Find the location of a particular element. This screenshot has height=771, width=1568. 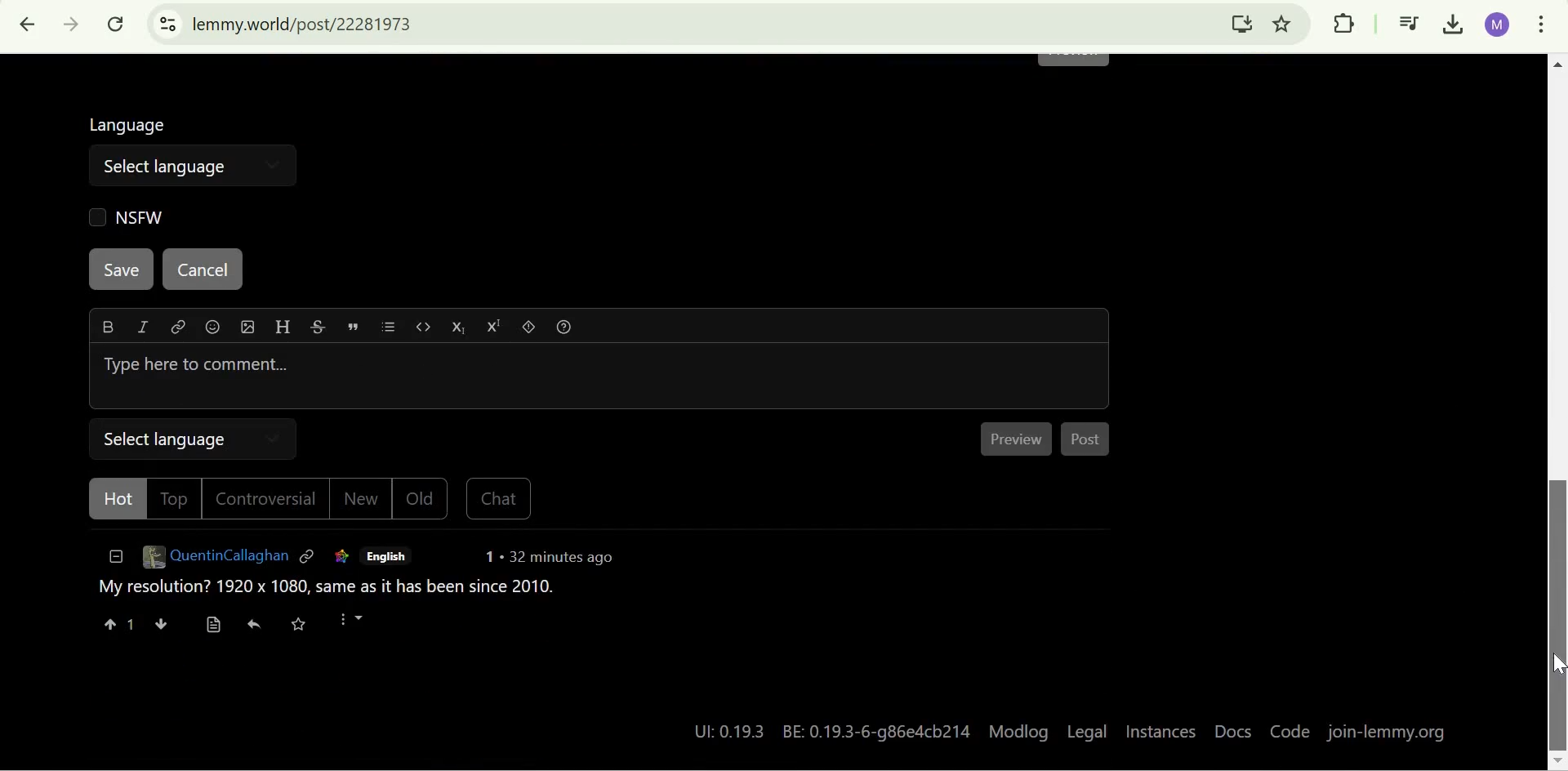

Click to go forward, hold to see history is located at coordinates (72, 25).